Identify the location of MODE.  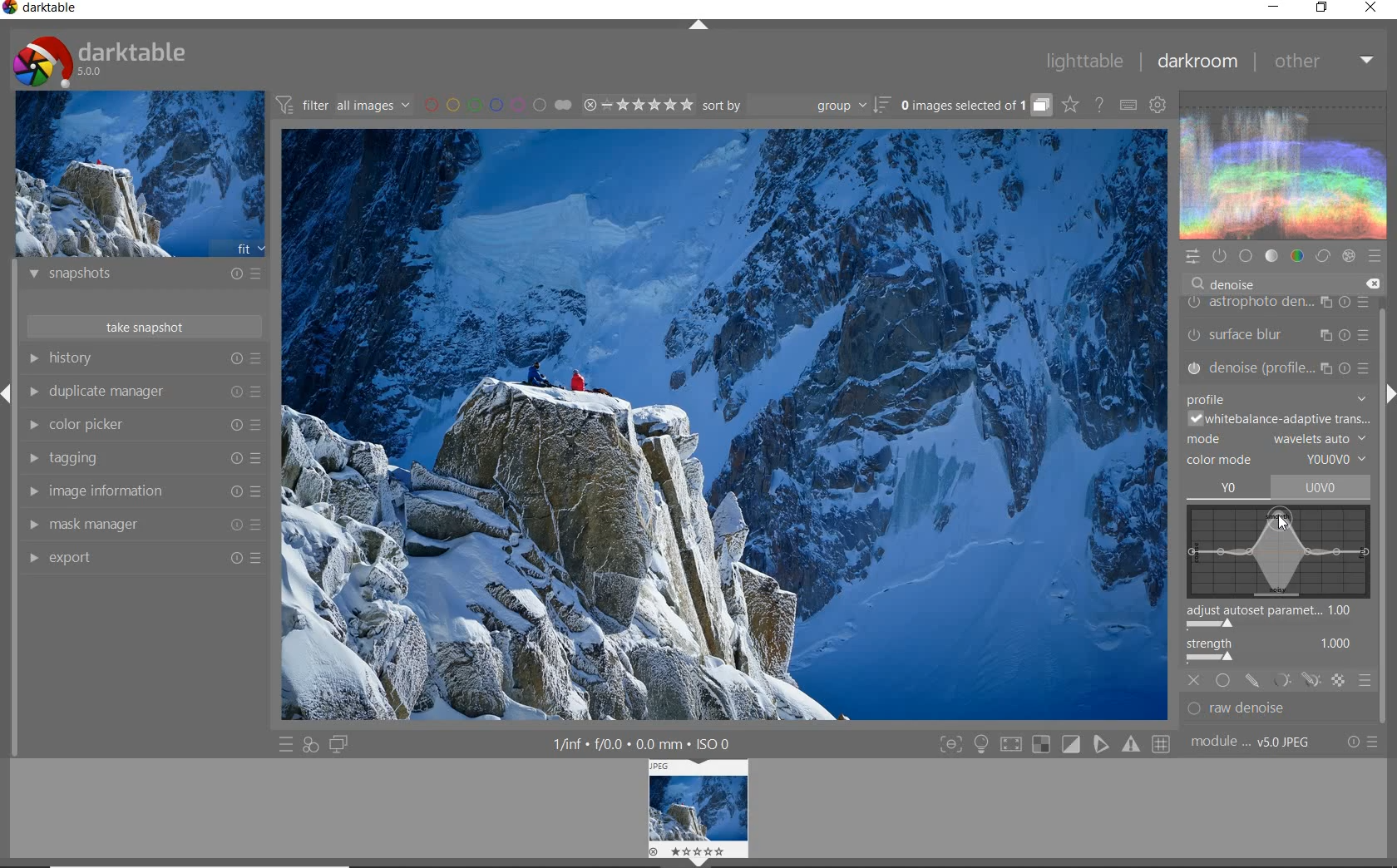
(1277, 437).